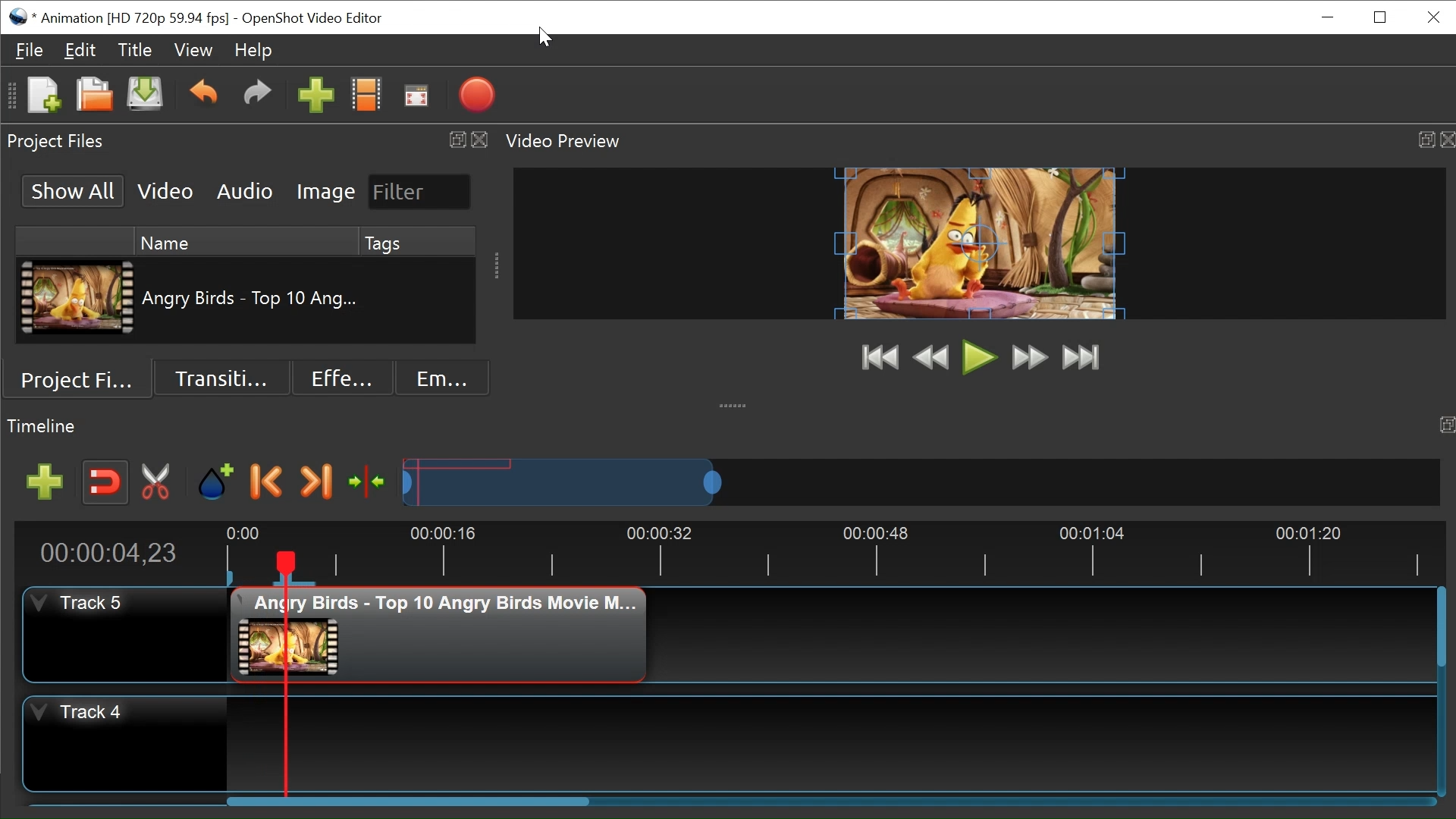  I want to click on Track Header, so click(125, 744).